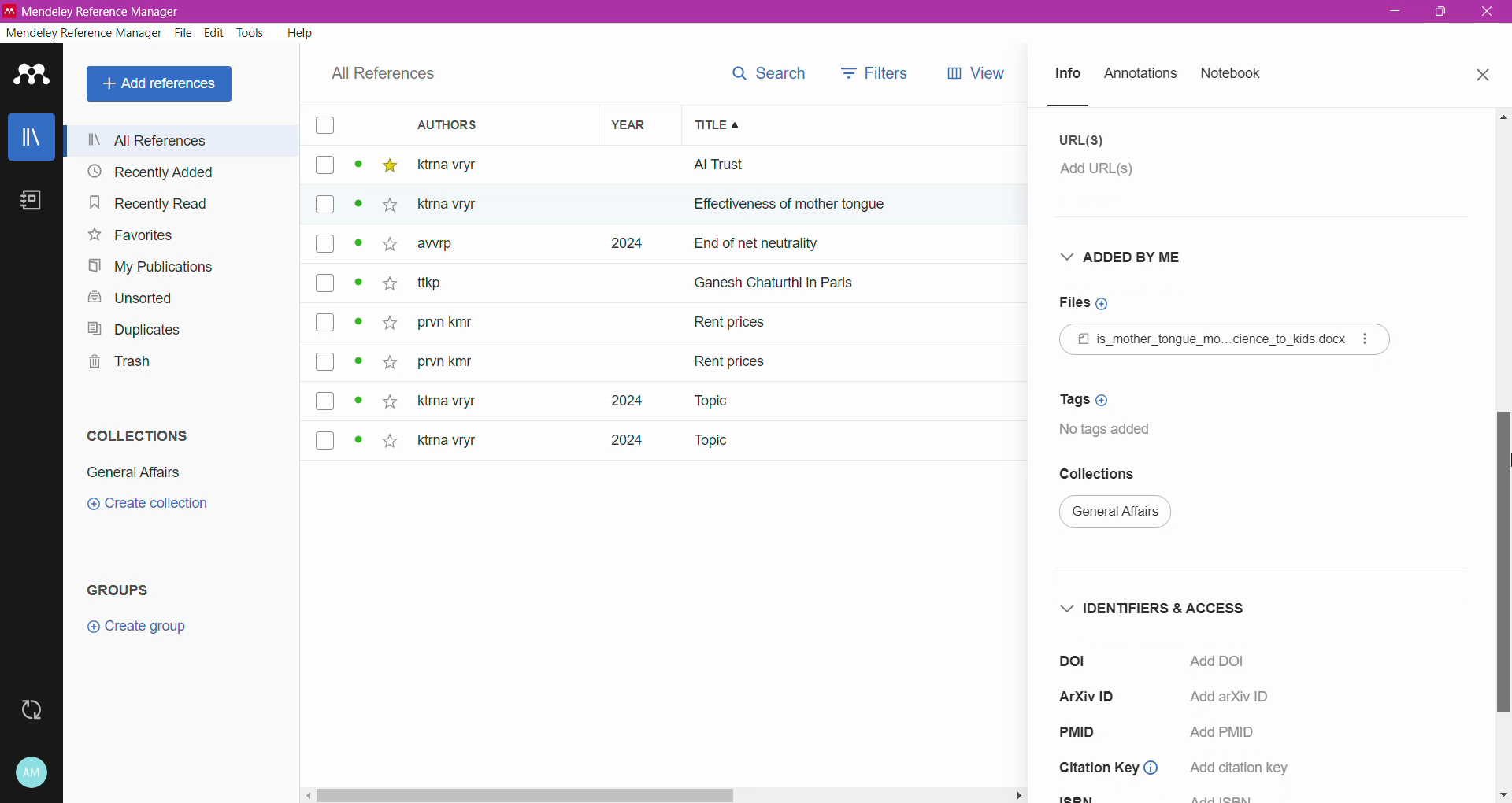 This screenshot has width=1512, height=803. What do you see at coordinates (1487, 12) in the screenshot?
I see `Close` at bounding box center [1487, 12].